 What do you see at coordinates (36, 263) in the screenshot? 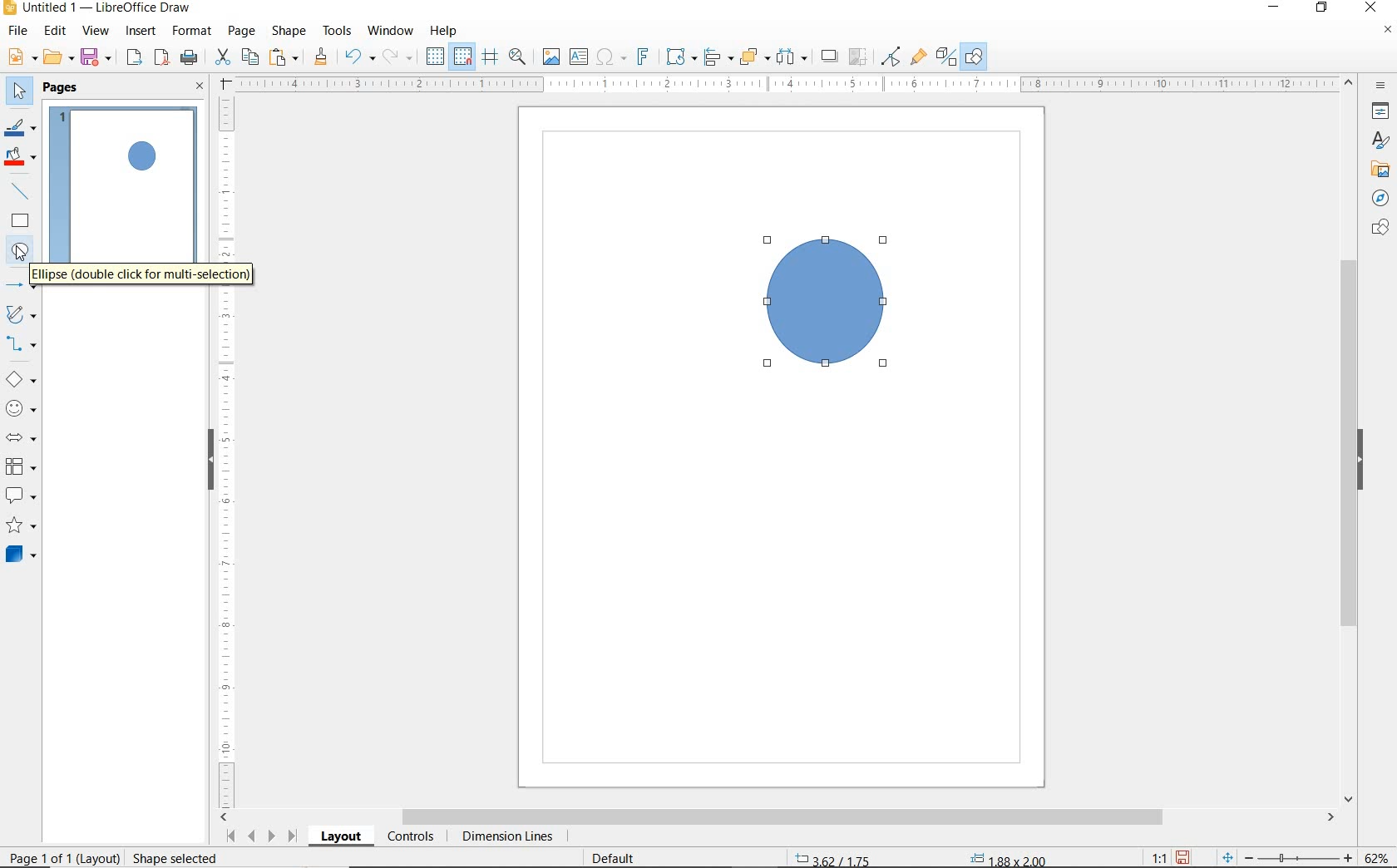
I see `CURSOR` at bounding box center [36, 263].